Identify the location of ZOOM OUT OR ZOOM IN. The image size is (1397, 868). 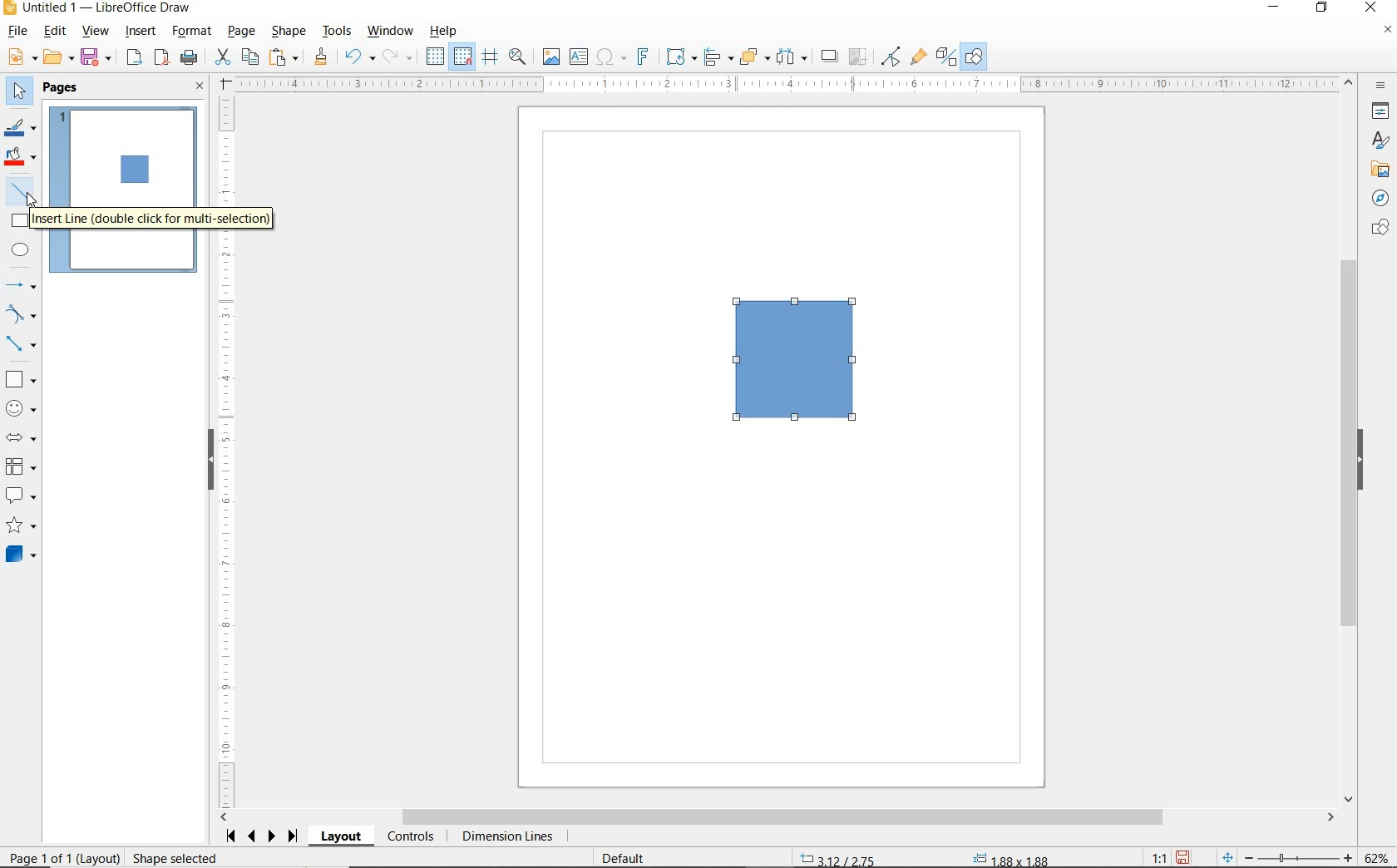
(1288, 855).